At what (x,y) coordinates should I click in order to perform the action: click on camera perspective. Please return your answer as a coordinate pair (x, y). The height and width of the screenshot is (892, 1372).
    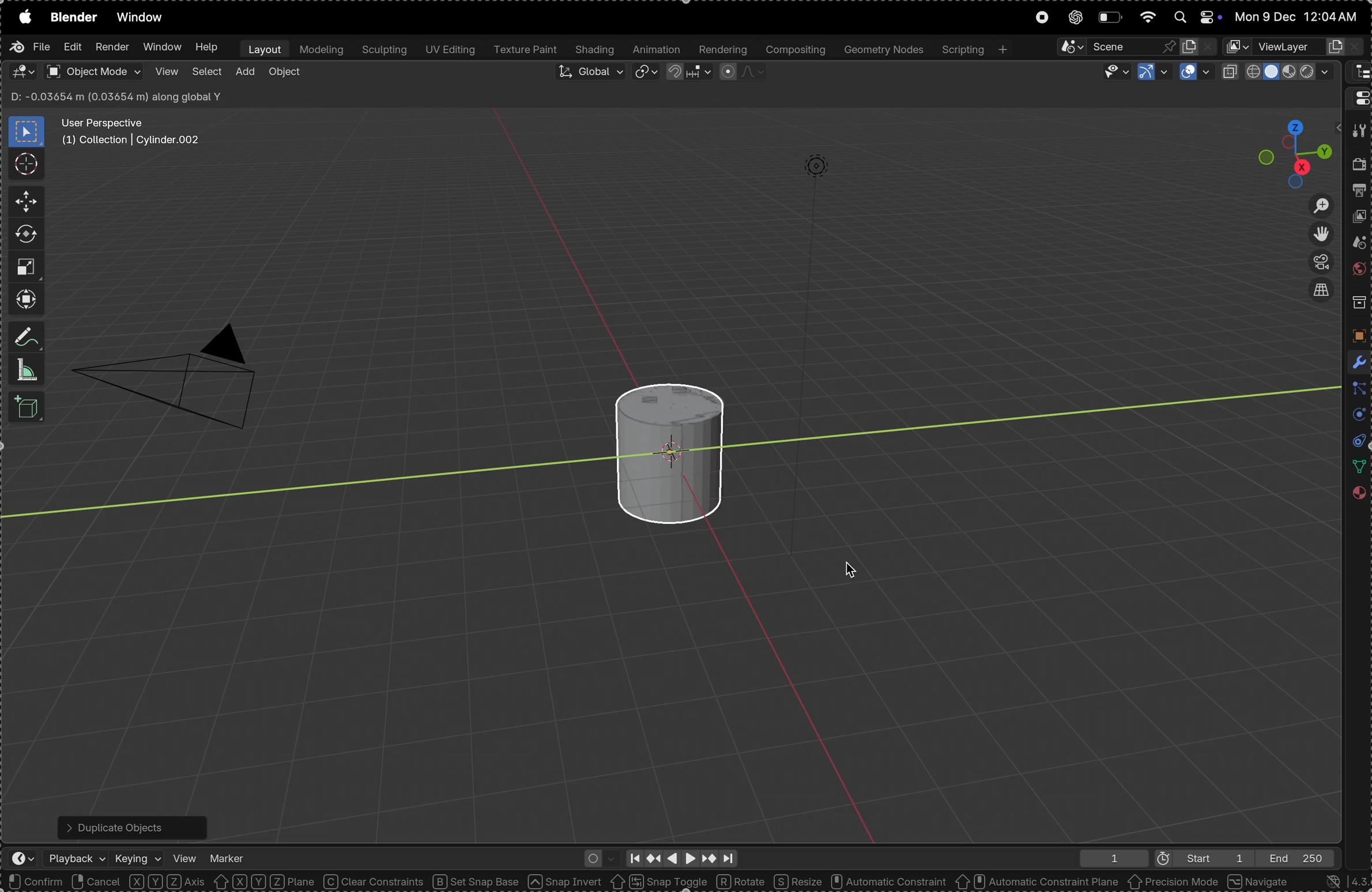
    Looking at the image, I should click on (174, 369).